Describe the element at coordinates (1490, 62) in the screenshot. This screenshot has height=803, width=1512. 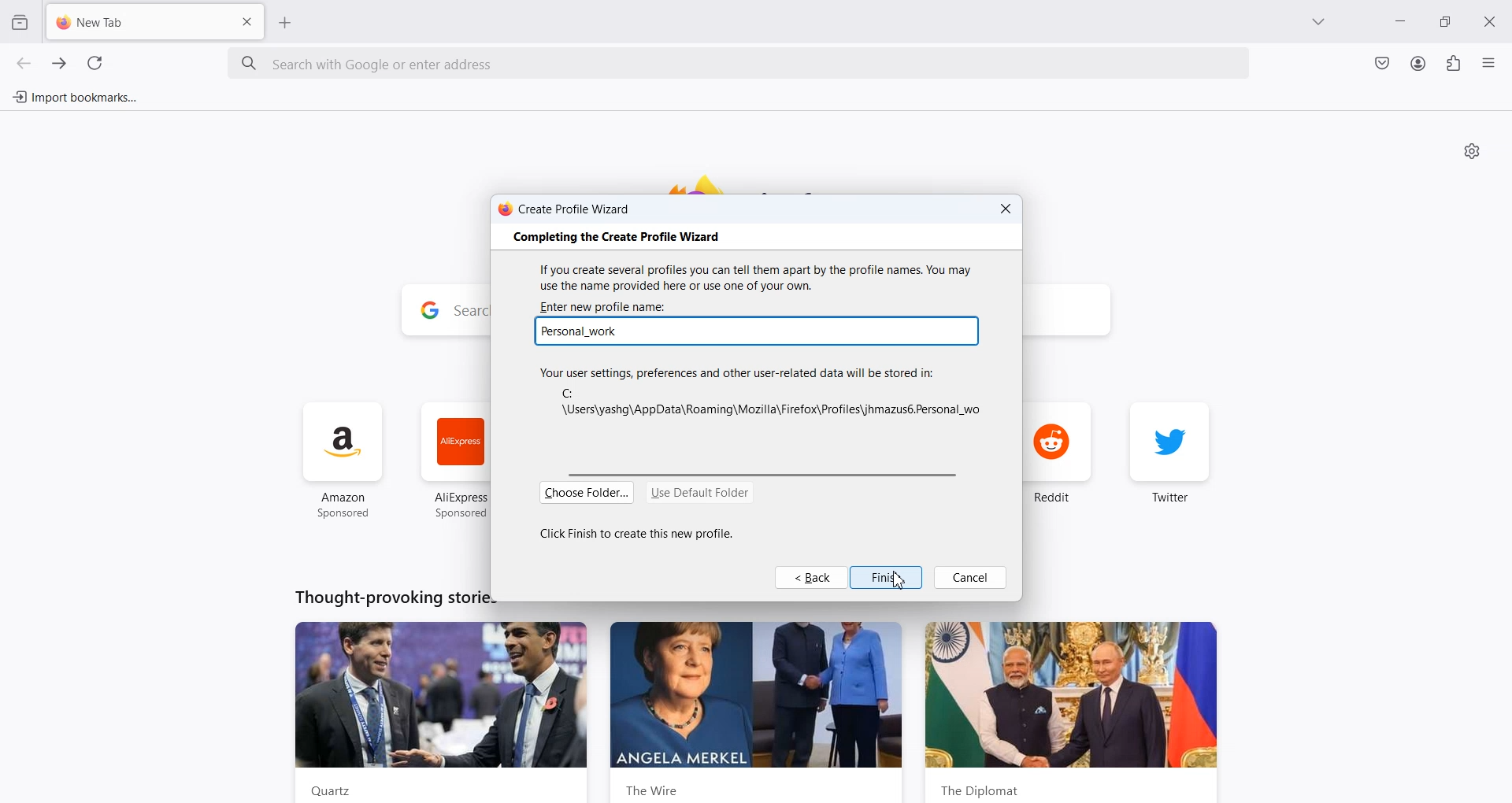
I see `Open Application menu` at that location.